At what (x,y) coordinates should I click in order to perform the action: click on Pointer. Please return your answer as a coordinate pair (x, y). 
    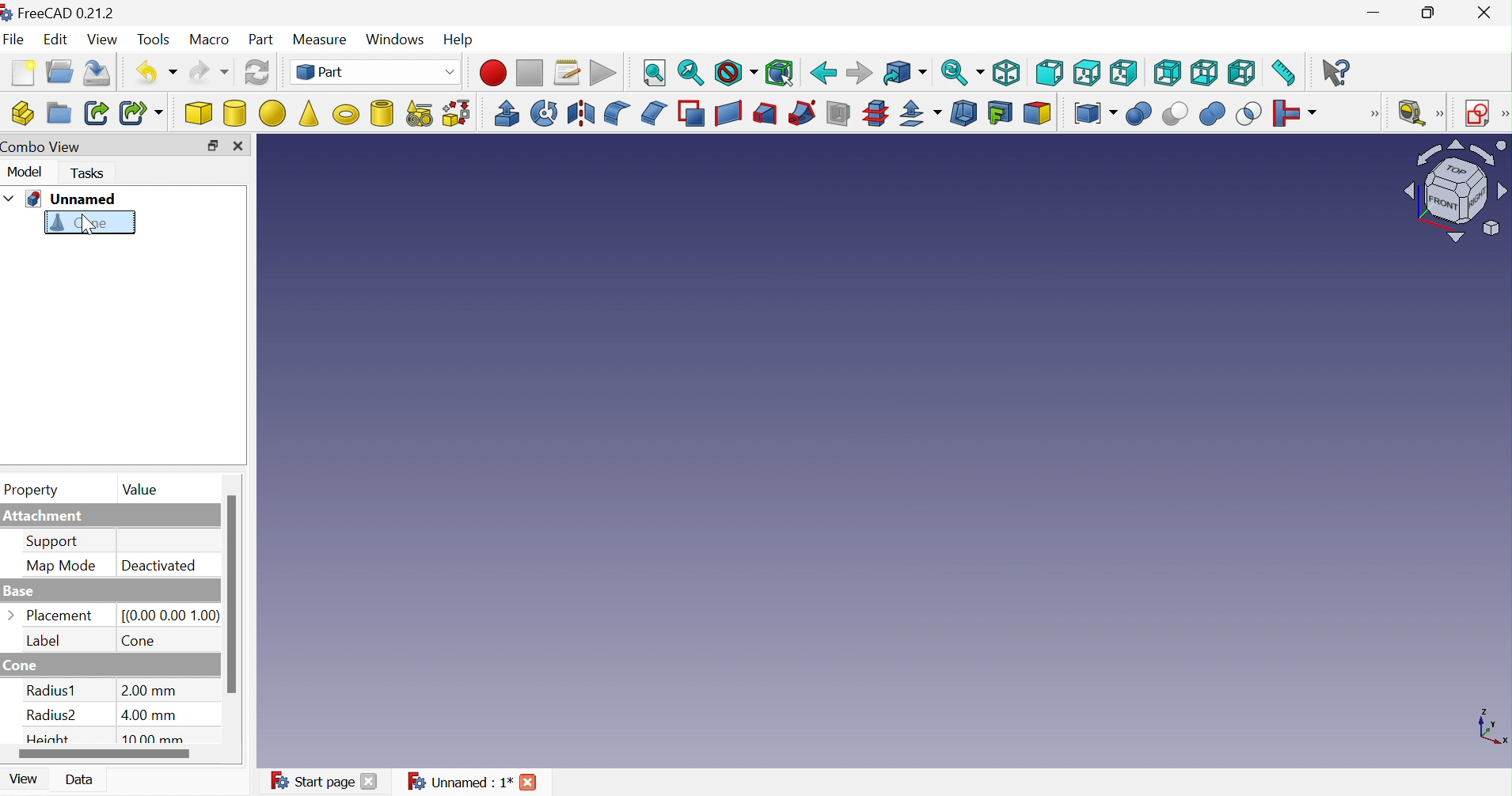
    Looking at the image, I should click on (91, 236).